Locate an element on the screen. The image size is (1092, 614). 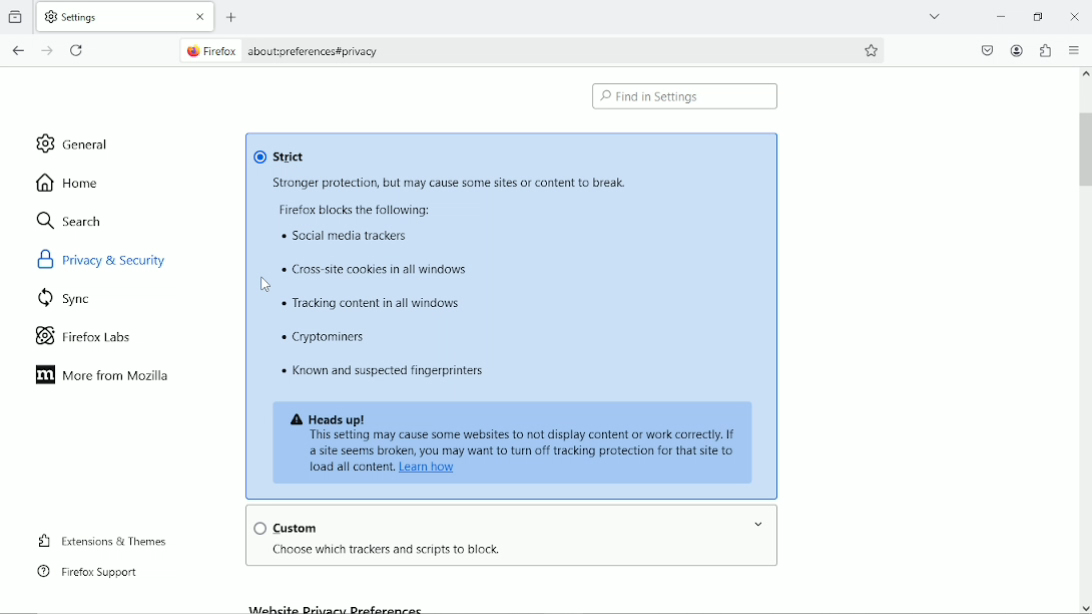
text is located at coordinates (330, 336).